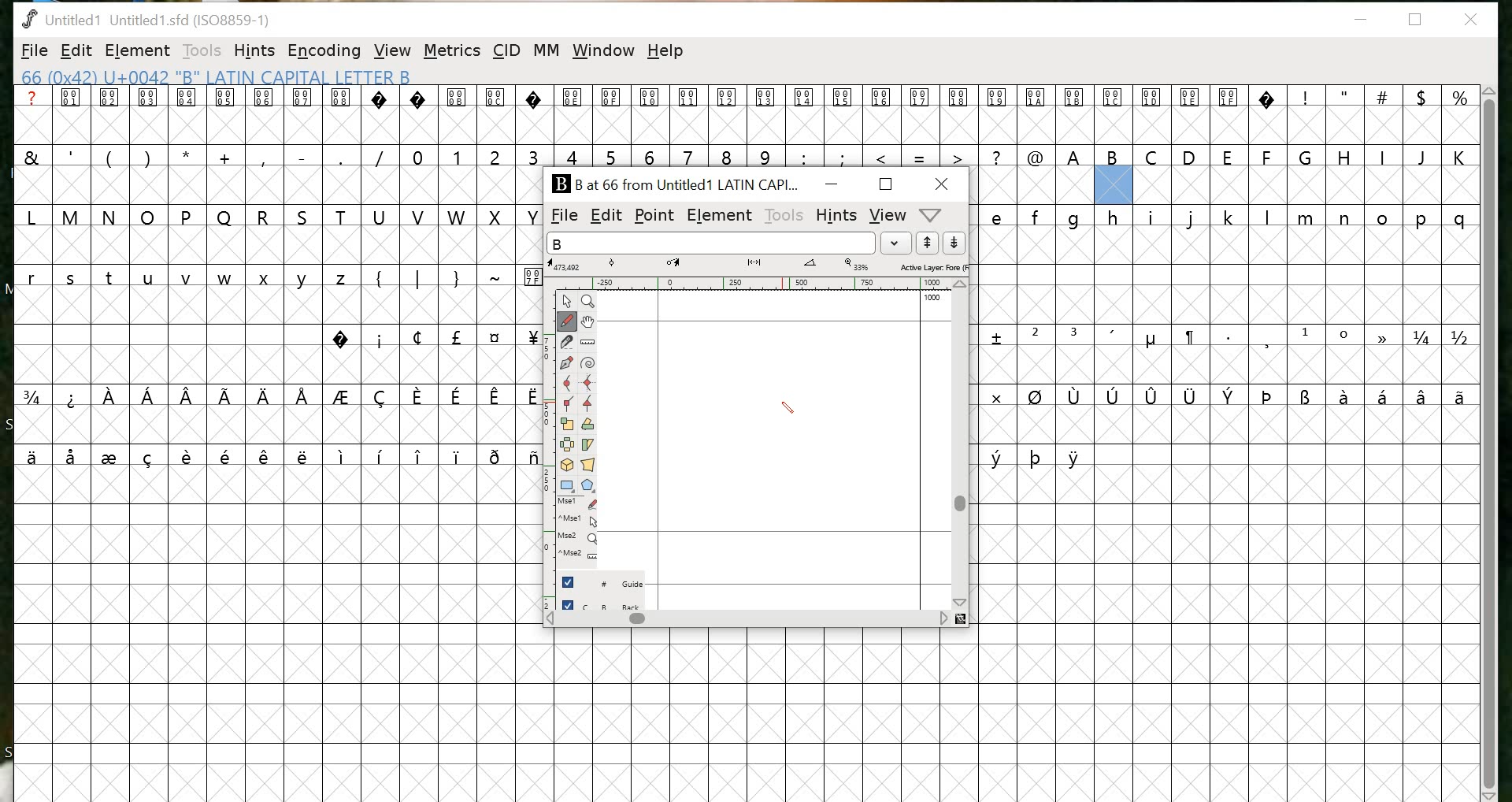 This screenshot has height=802, width=1512. I want to click on Polygon/star, so click(589, 485).